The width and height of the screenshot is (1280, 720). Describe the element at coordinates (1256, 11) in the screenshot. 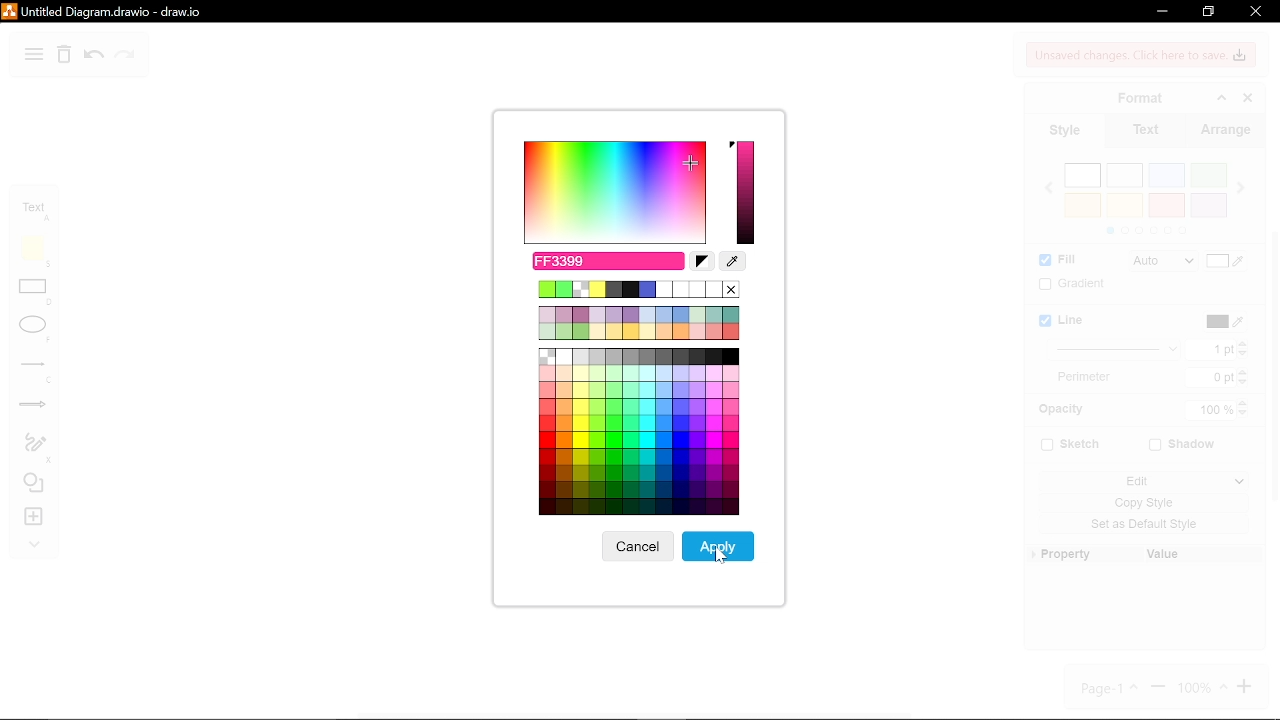

I see `close` at that location.